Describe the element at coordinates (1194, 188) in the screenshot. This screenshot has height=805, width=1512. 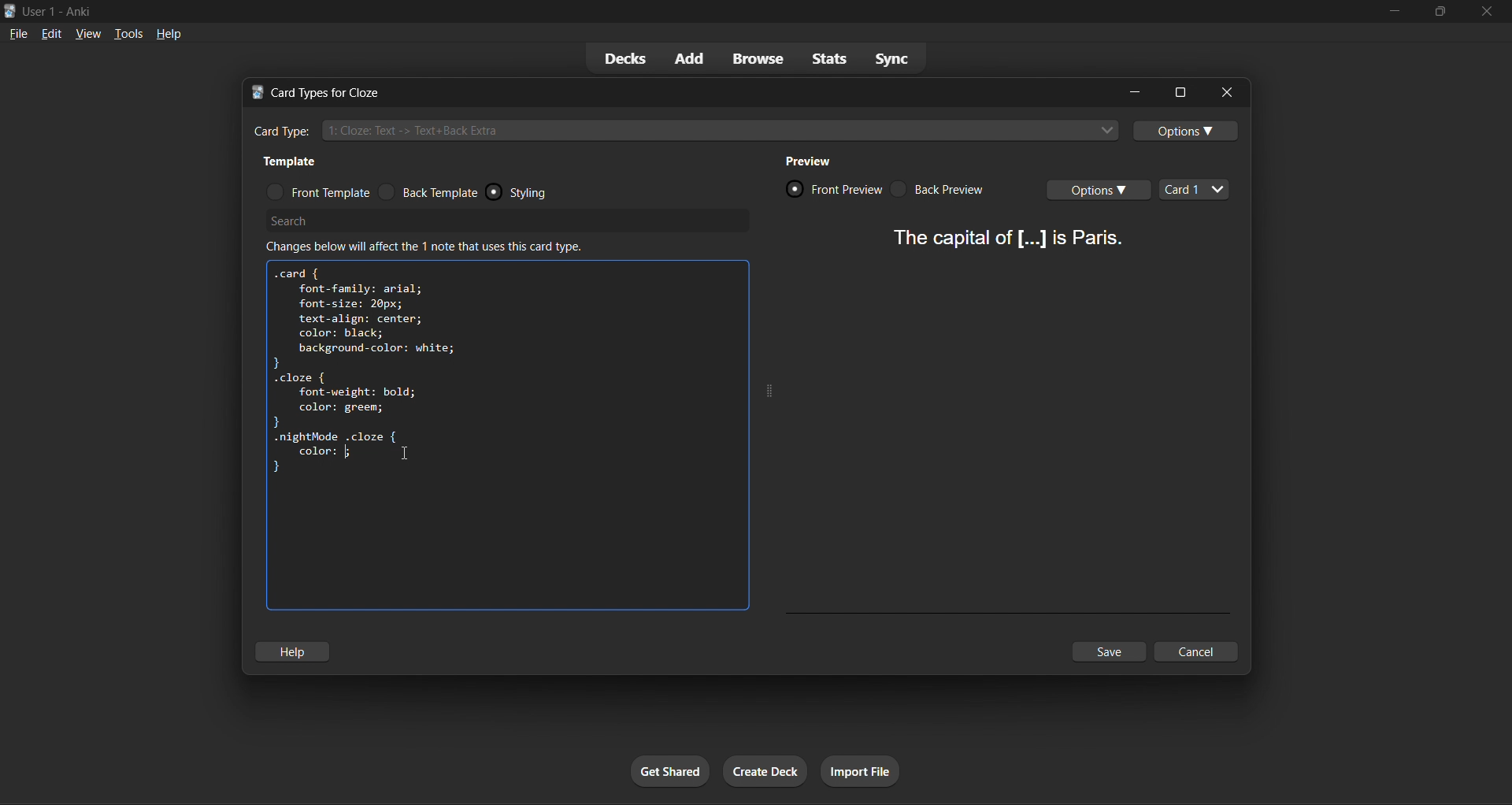
I see `card types` at that location.